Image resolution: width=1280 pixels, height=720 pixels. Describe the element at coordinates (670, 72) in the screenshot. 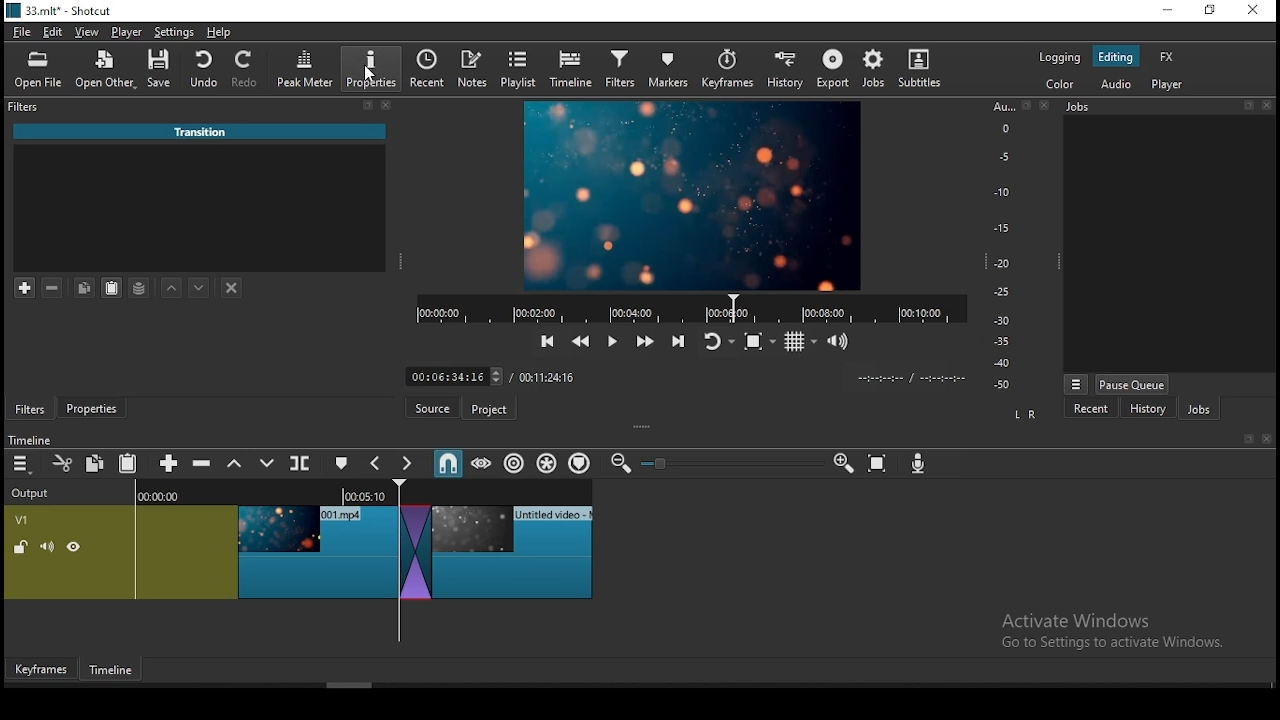

I see `markers` at that location.